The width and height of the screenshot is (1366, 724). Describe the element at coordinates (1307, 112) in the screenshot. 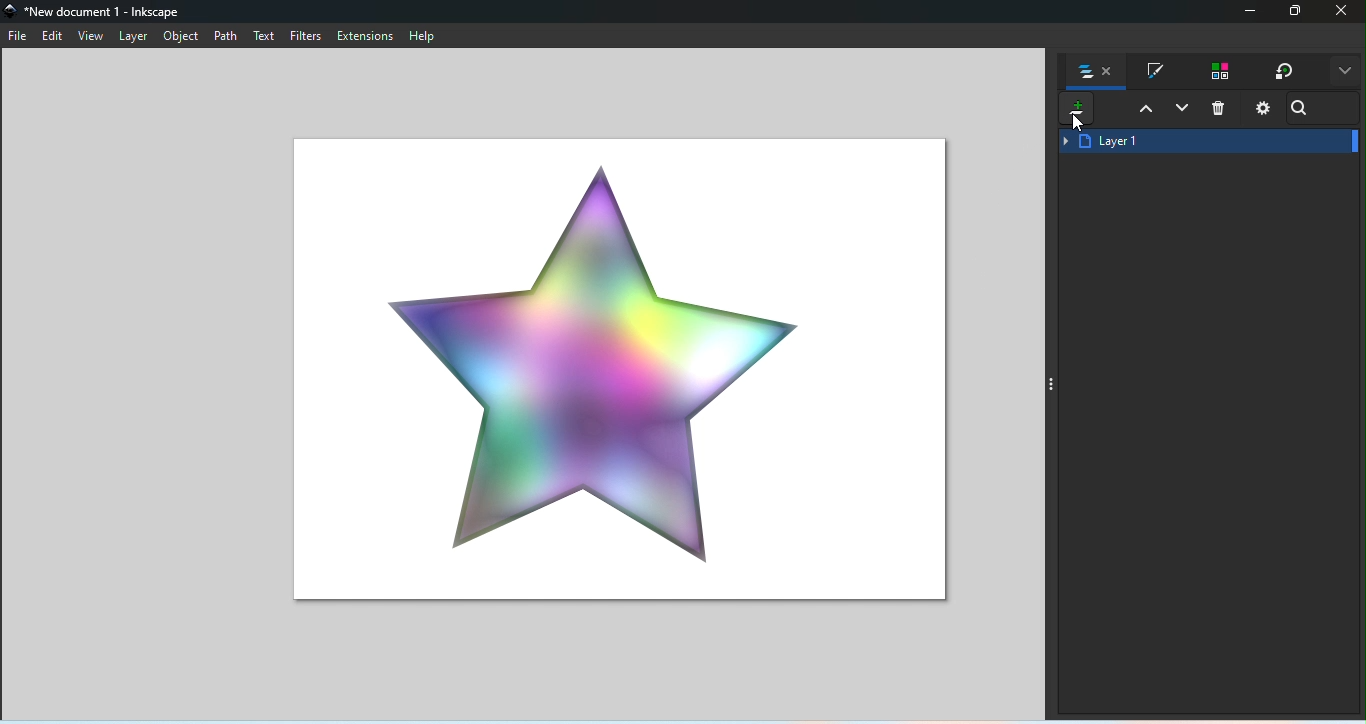

I see `Search bar` at that location.